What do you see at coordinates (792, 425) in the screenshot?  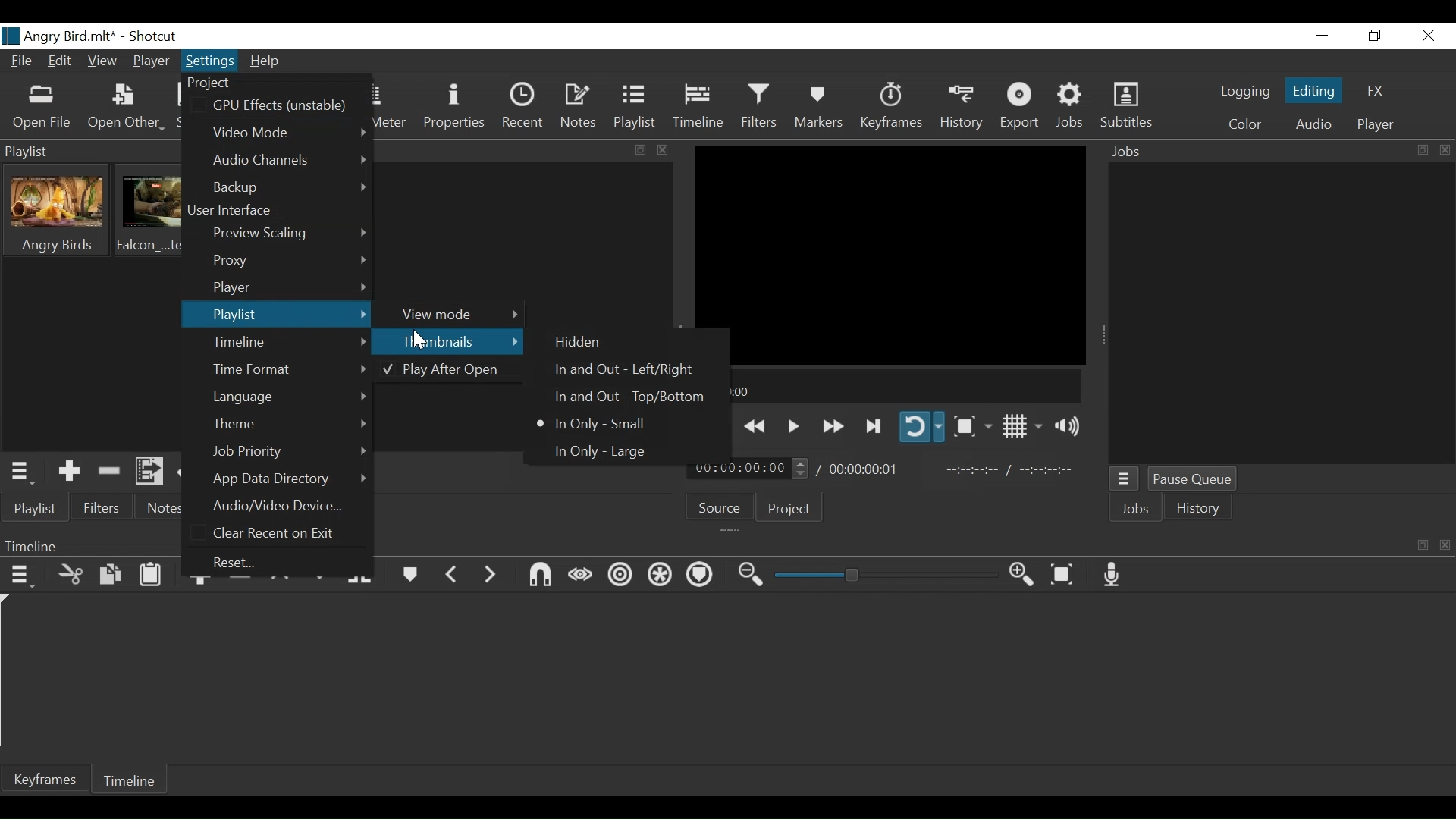 I see `Toggle play or pause (space)` at bounding box center [792, 425].